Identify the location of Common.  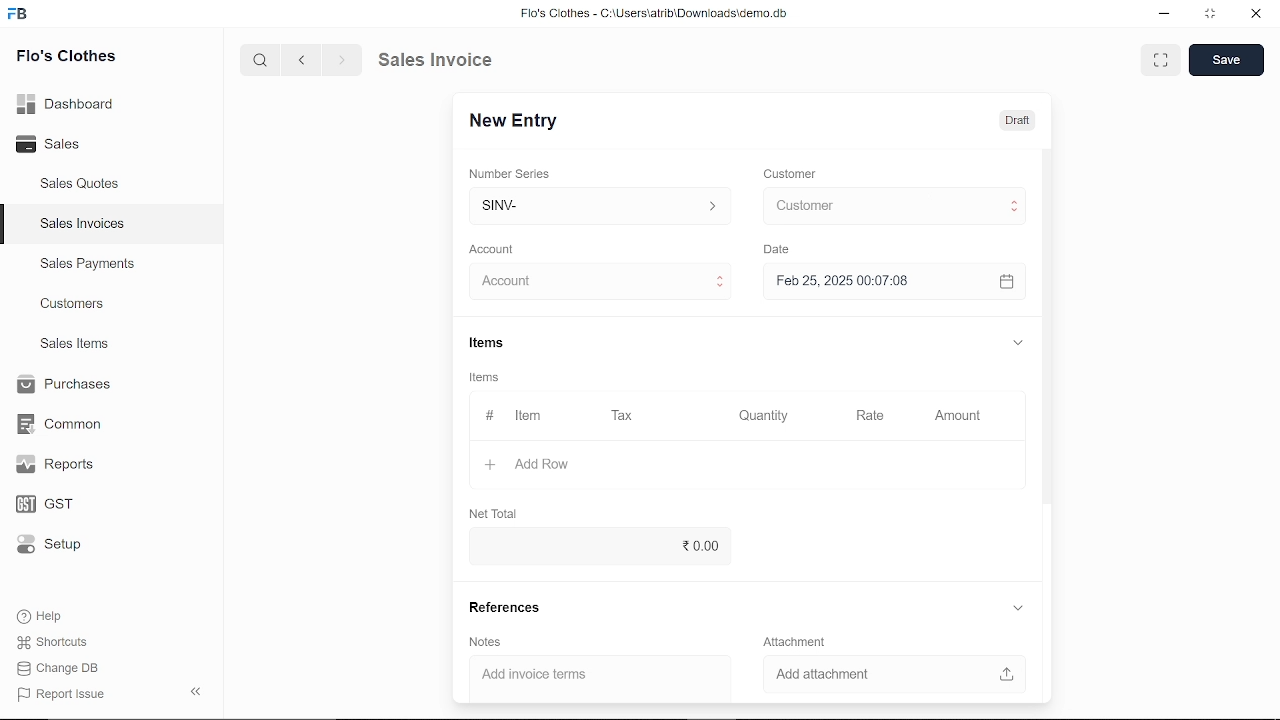
(62, 424).